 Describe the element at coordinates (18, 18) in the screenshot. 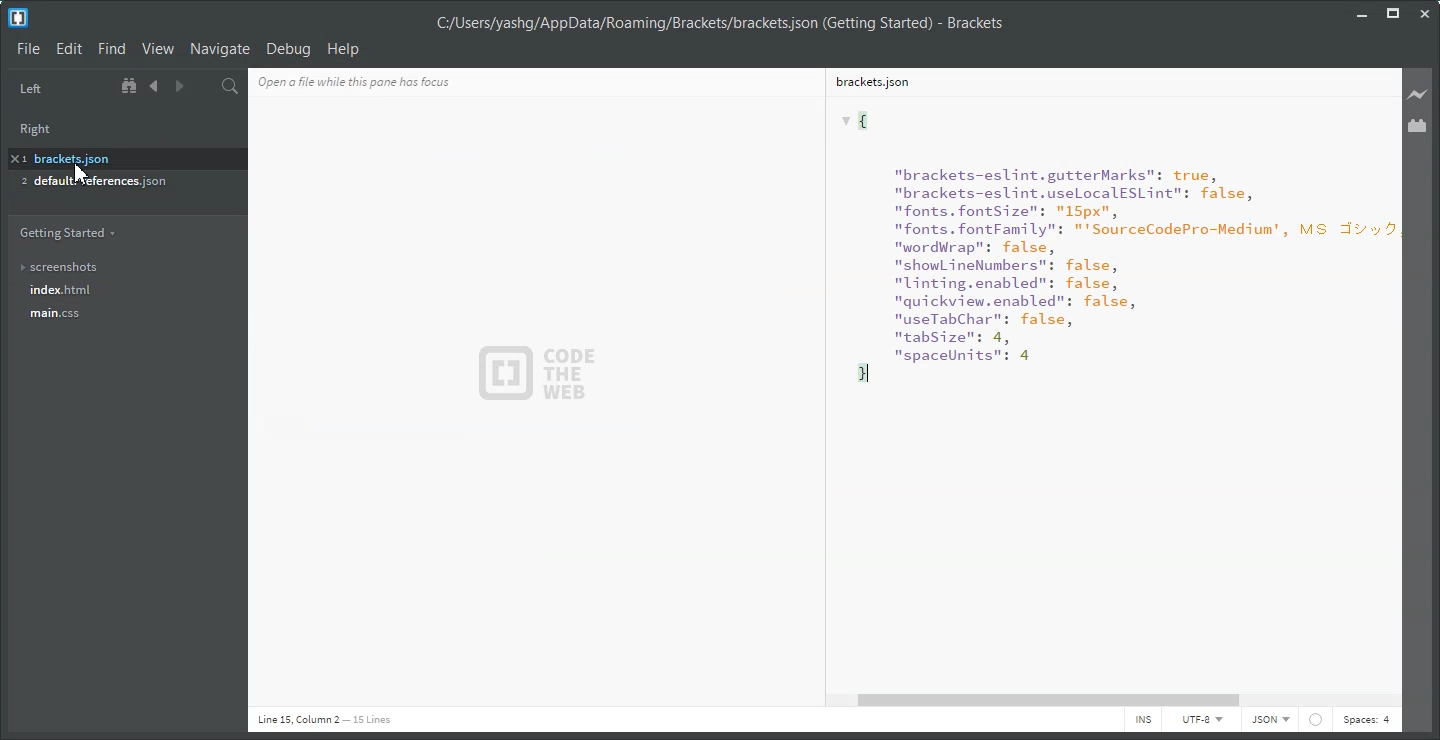

I see `Logo` at that location.